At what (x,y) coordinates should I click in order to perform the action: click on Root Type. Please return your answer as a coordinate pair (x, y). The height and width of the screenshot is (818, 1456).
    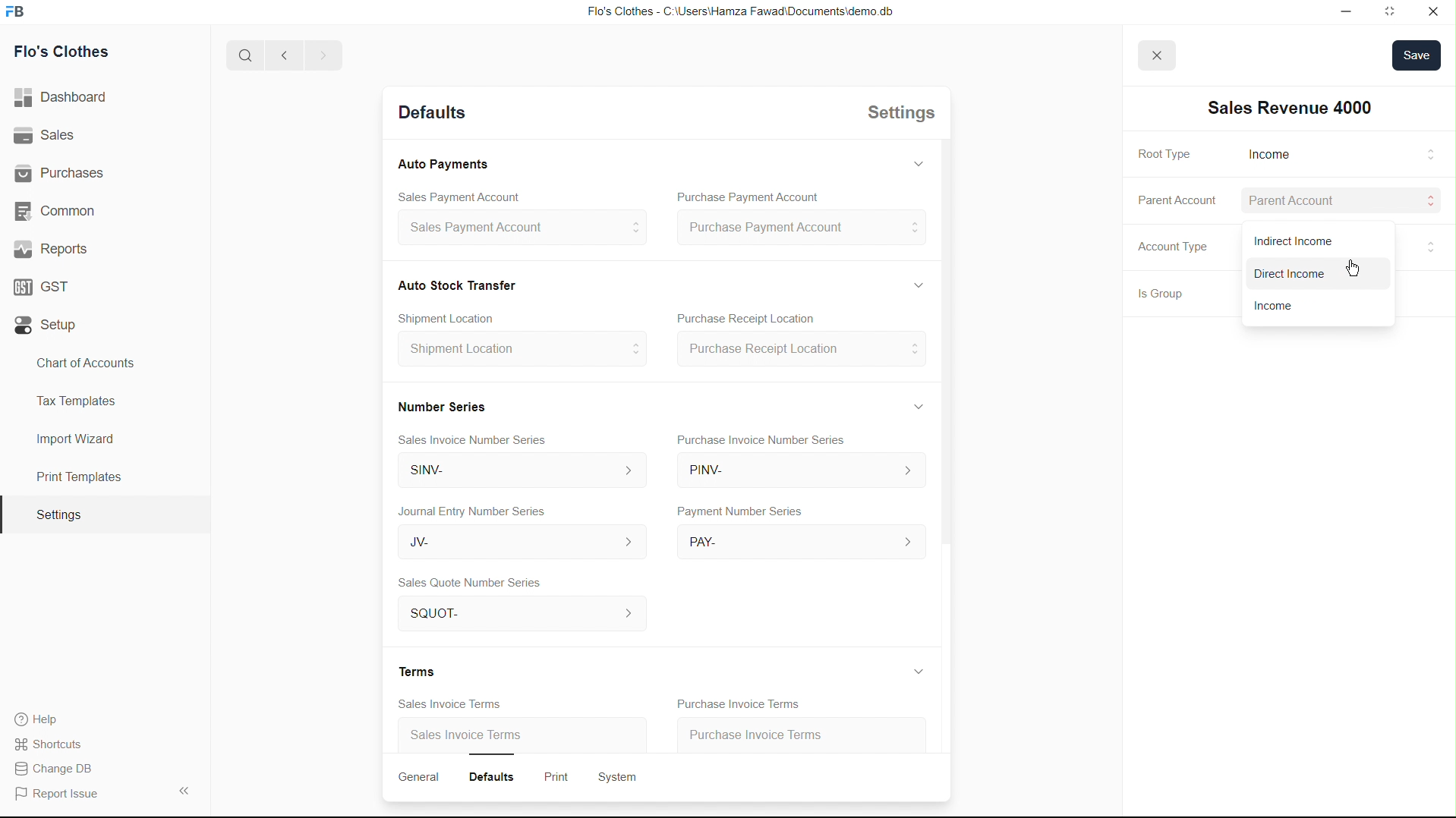
    Looking at the image, I should click on (1162, 155).